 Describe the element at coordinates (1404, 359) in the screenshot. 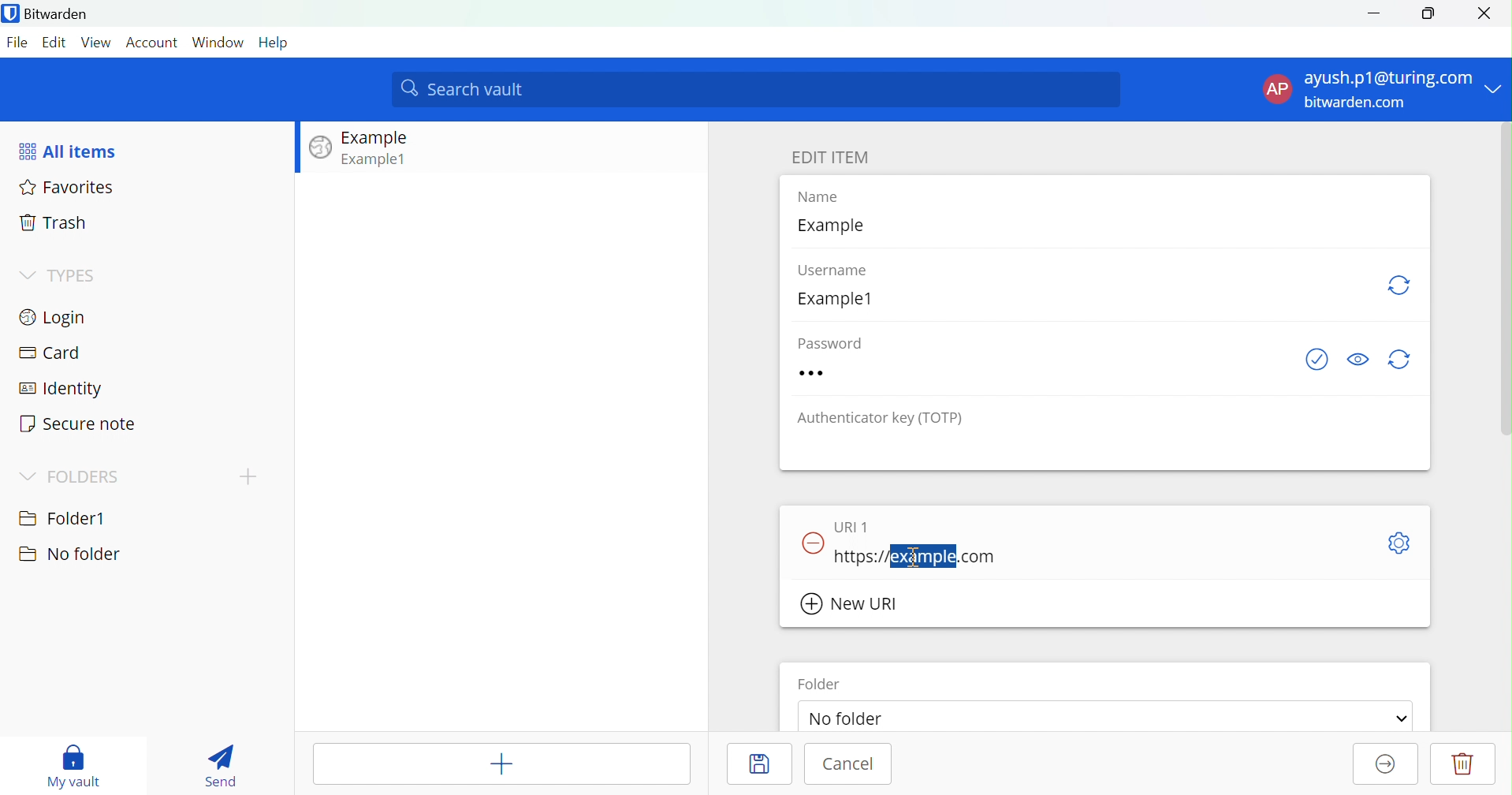

I see `Generate password` at that location.